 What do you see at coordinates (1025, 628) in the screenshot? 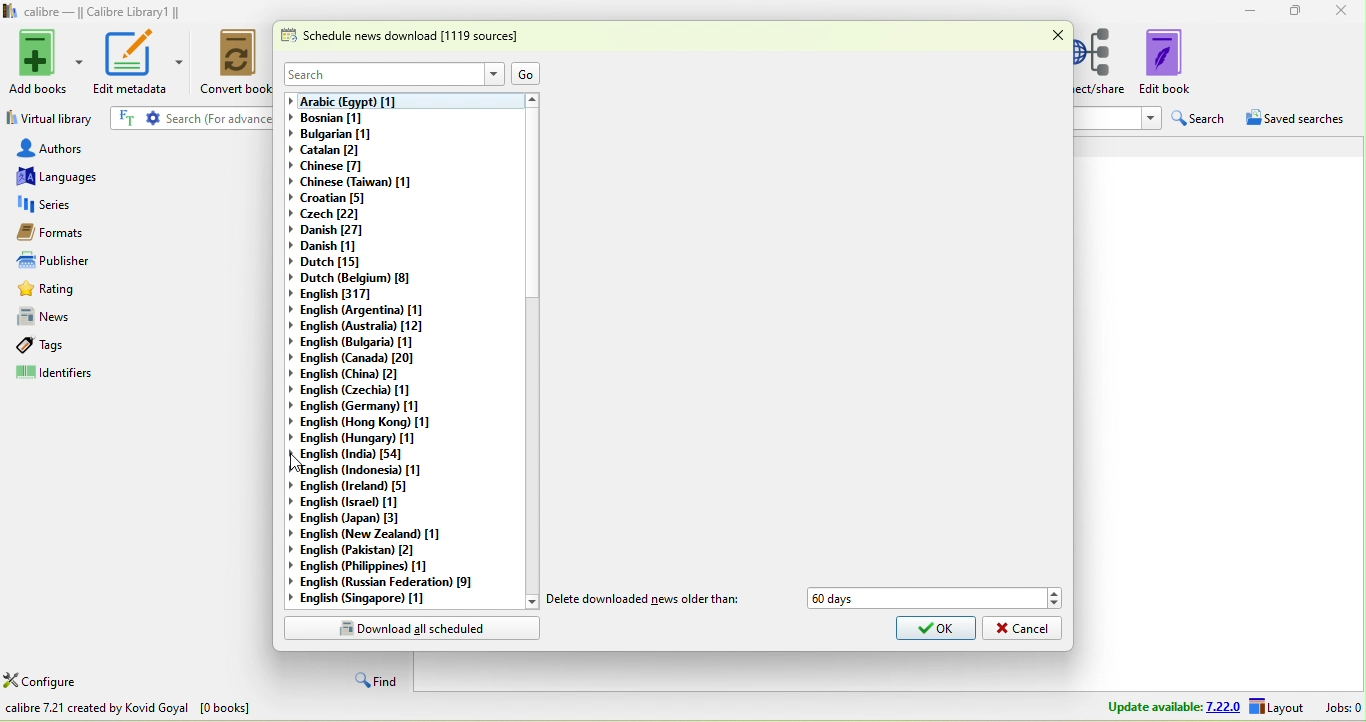
I see `cancel` at bounding box center [1025, 628].